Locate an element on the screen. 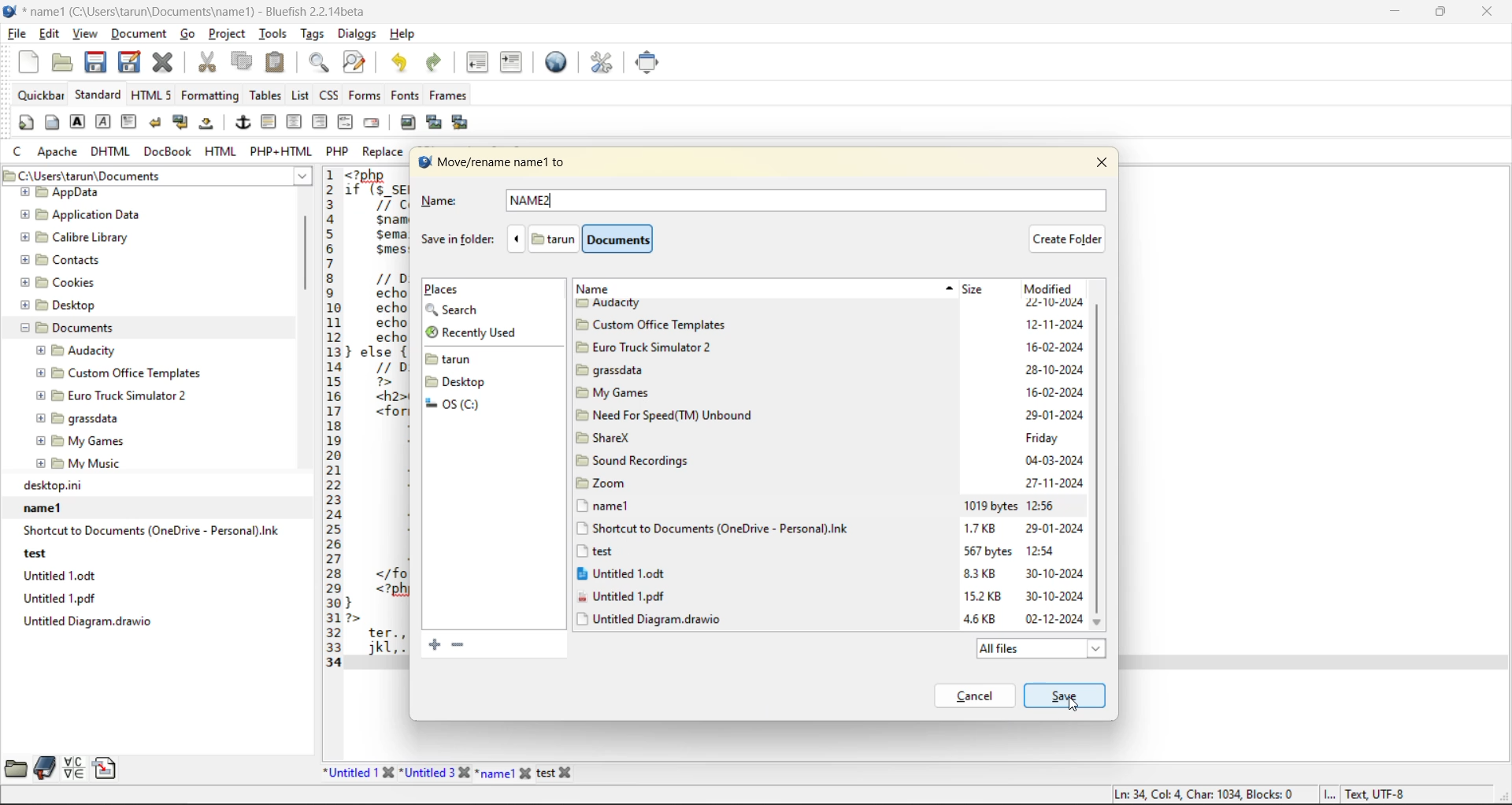 This screenshot has height=805, width=1512. add current folder to bookmarks is located at coordinates (429, 644).